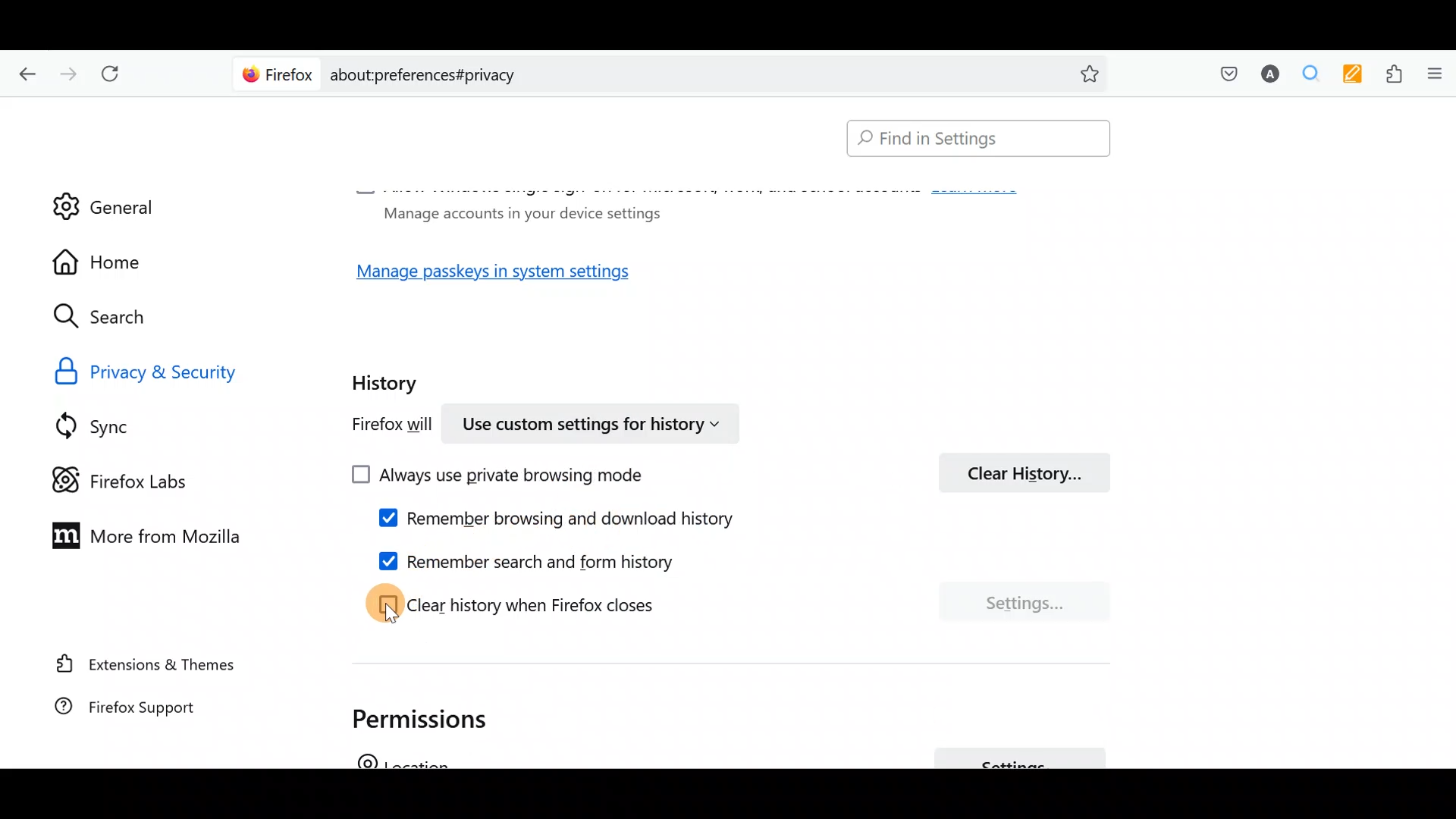 This screenshot has height=819, width=1456. I want to click on Go forward one page, so click(67, 70).